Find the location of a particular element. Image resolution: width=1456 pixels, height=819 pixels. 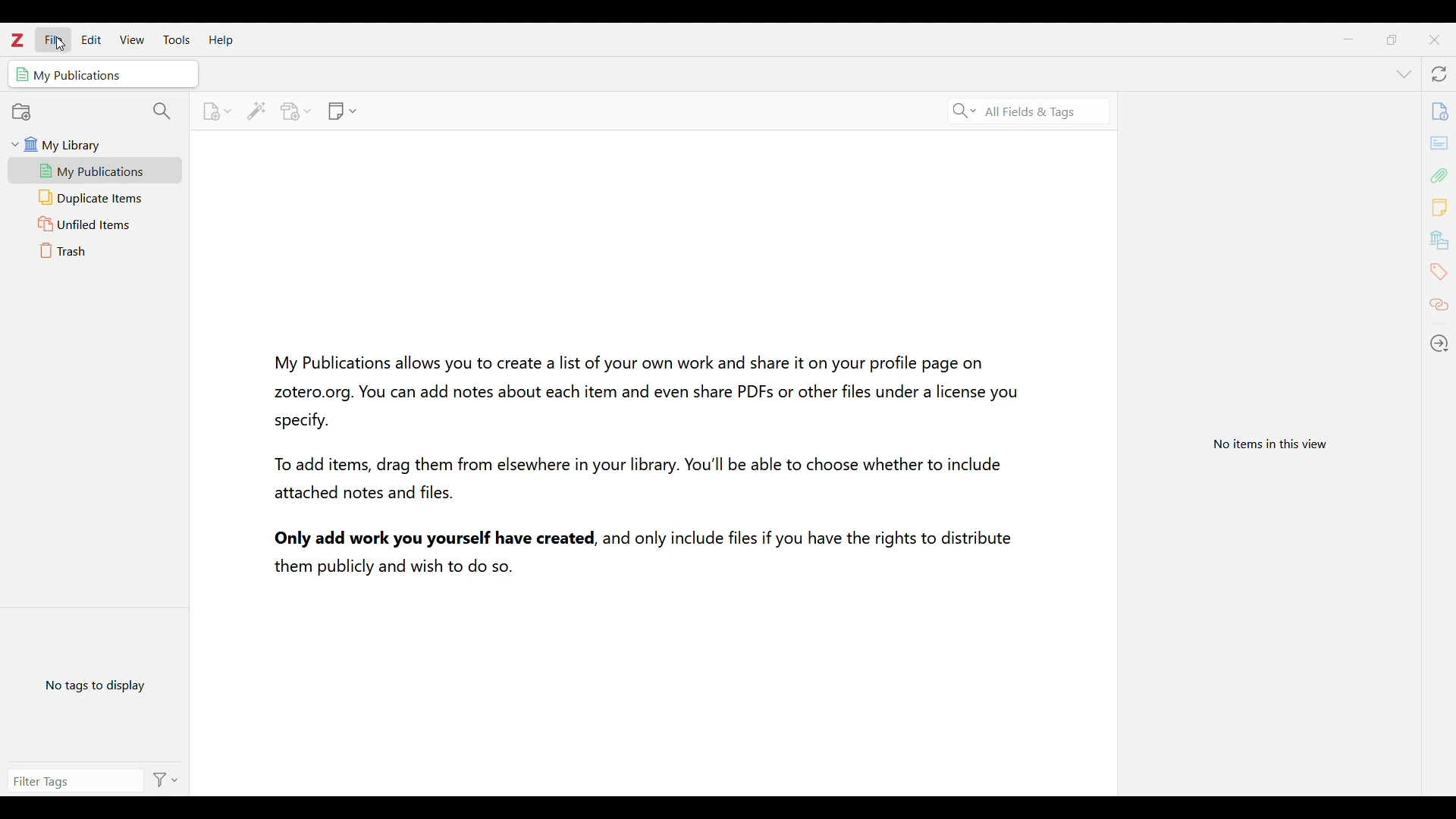

Selected search criteria is located at coordinates (1031, 112).